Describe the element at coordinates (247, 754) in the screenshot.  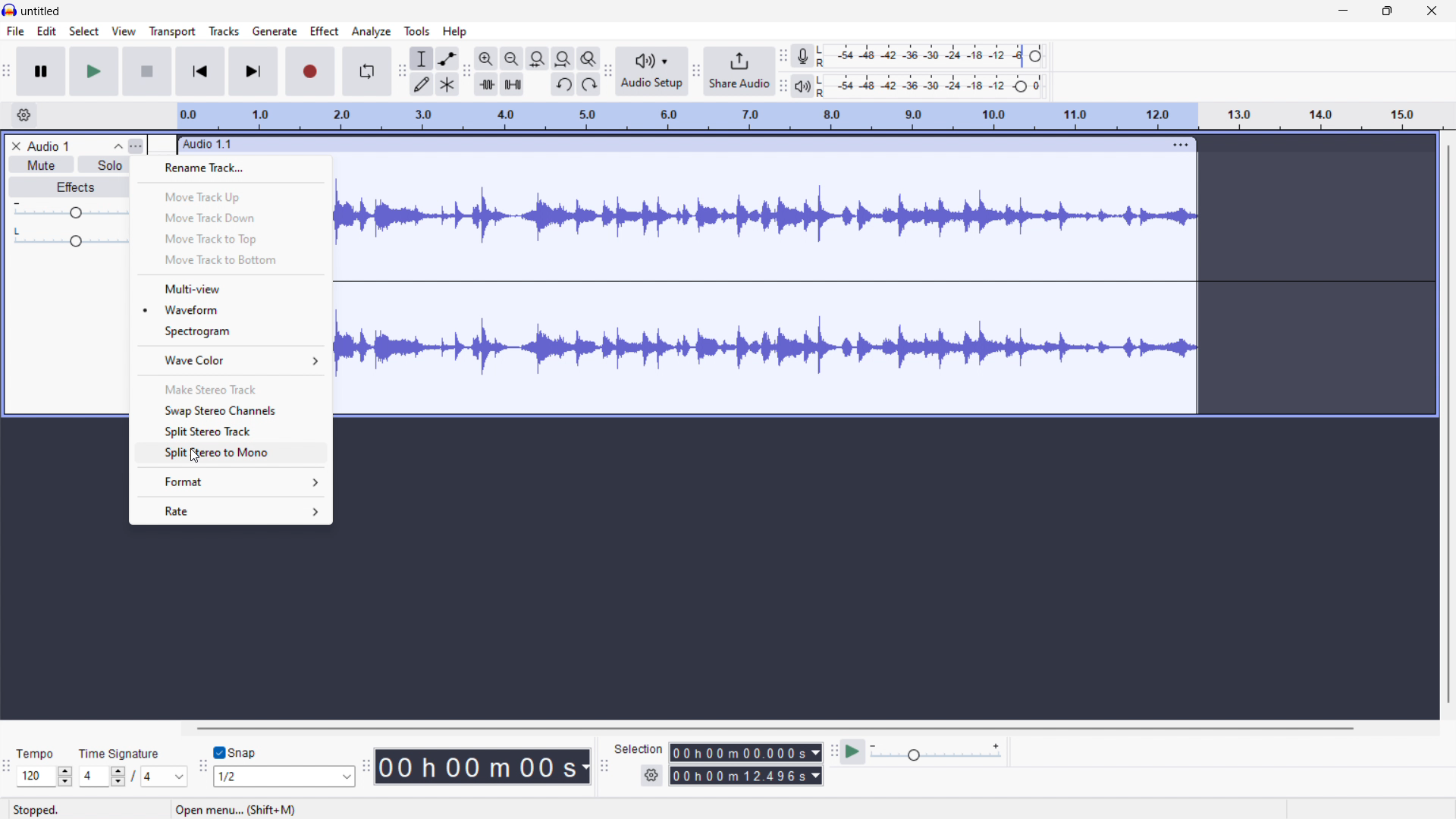
I see `snap` at that location.